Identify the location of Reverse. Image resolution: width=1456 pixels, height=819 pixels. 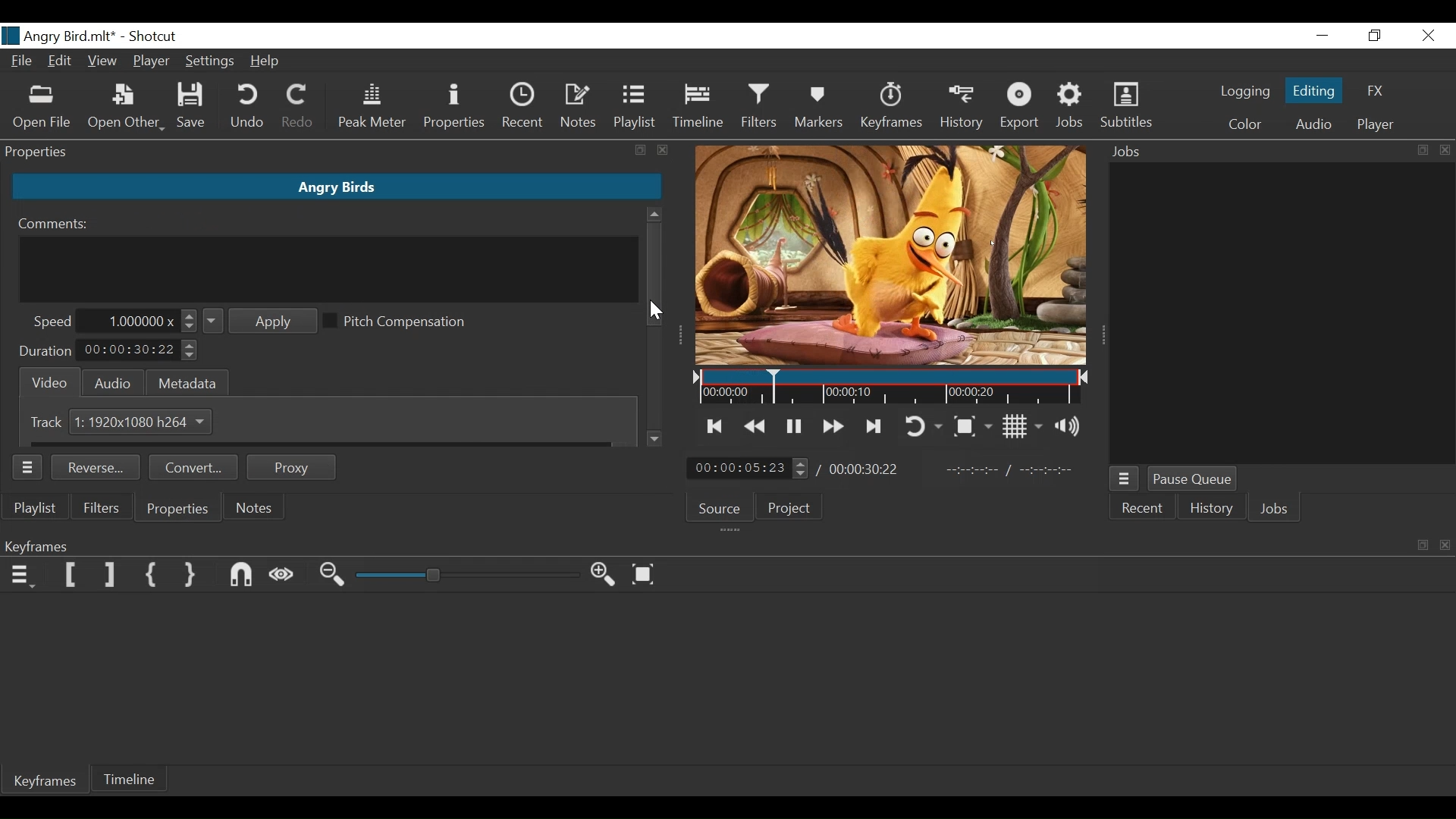
(96, 466).